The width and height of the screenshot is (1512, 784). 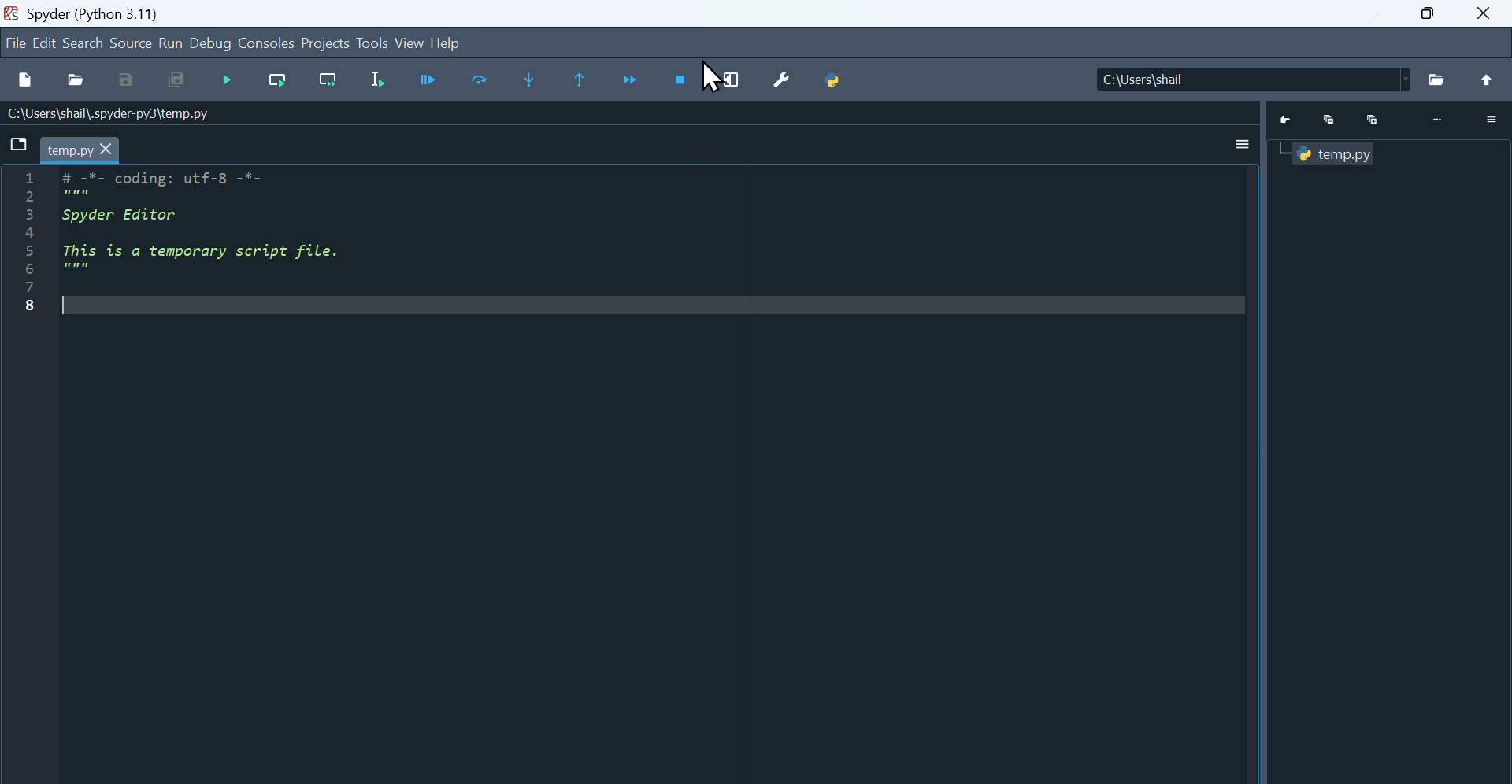 I want to click on temp.py, so click(x=1336, y=155).